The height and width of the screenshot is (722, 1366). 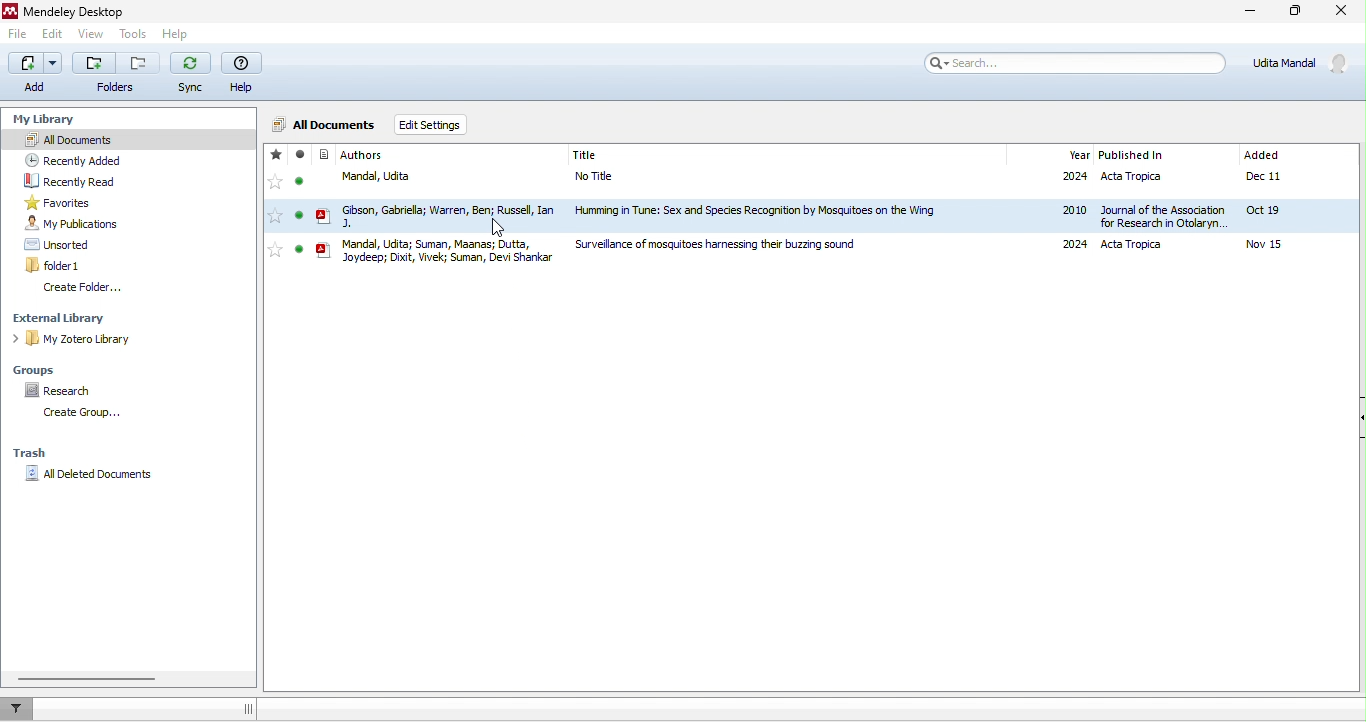 What do you see at coordinates (83, 287) in the screenshot?
I see `create folder` at bounding box center [83, 287].